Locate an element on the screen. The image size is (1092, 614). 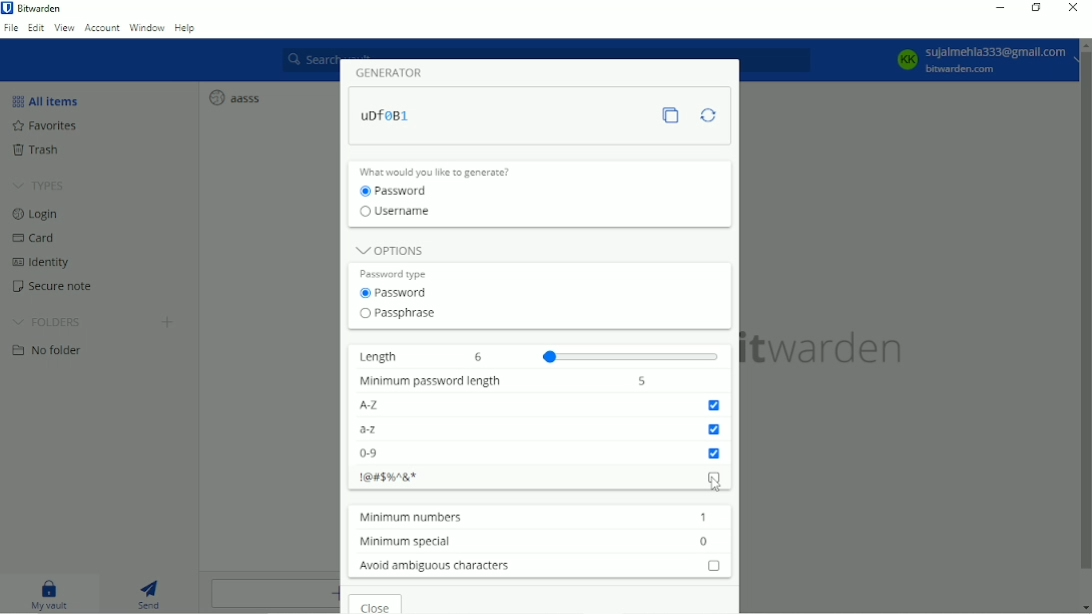
Username radio button is located at coordinates (398, 212).